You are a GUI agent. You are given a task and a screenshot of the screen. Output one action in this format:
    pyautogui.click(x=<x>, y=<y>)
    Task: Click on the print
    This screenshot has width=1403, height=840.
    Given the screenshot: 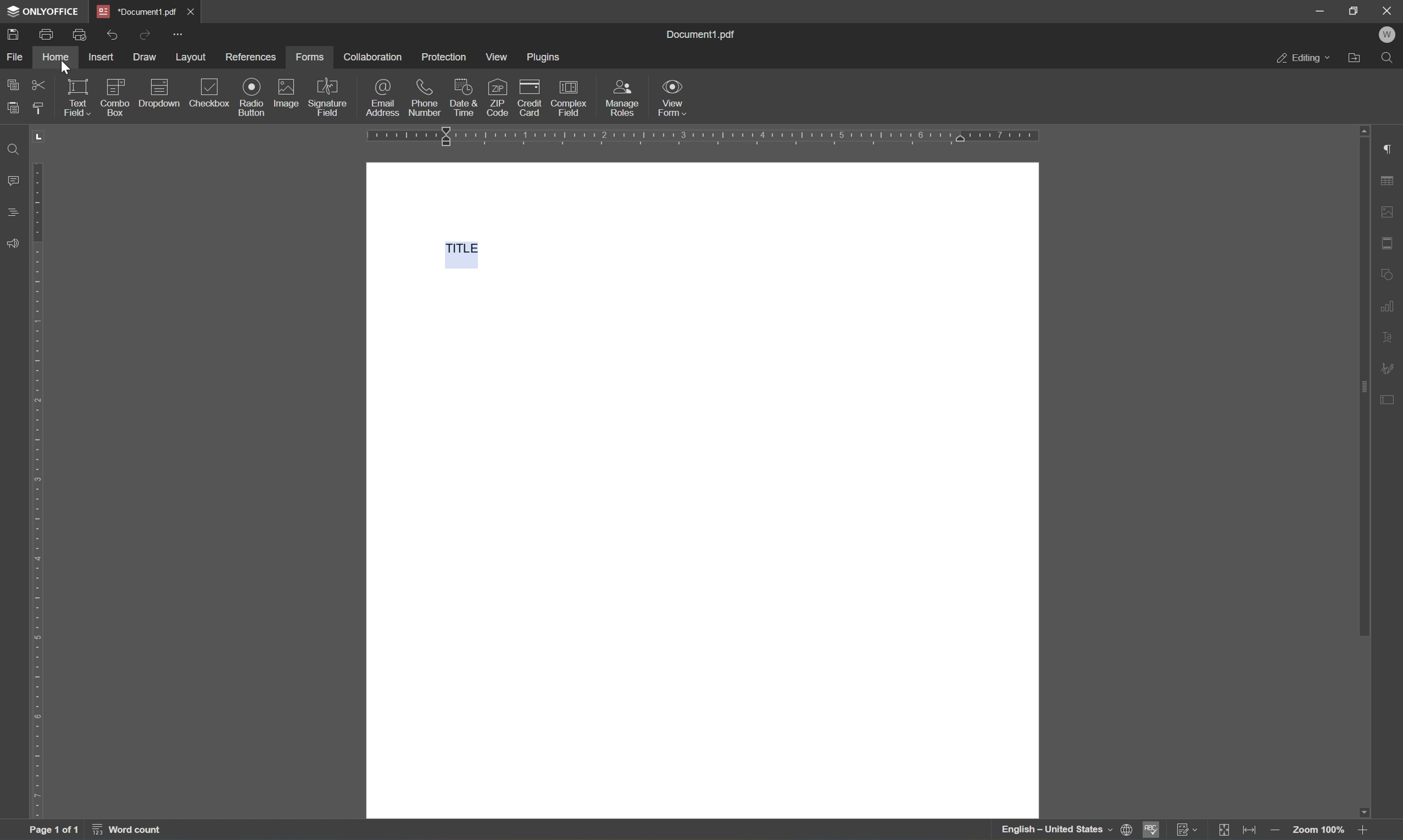 What is the action you would take?
    pyautogui.click(x=48, y=35)
    